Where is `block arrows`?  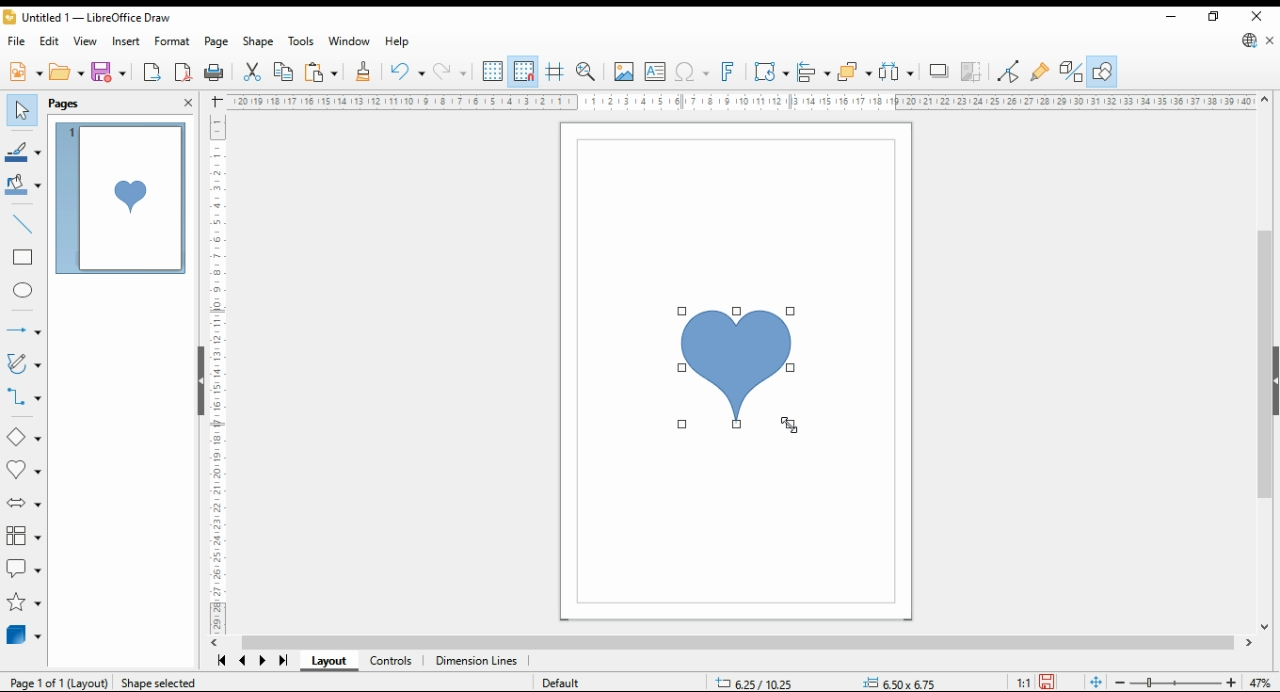
block arrows is located at coordinates (22, 505).